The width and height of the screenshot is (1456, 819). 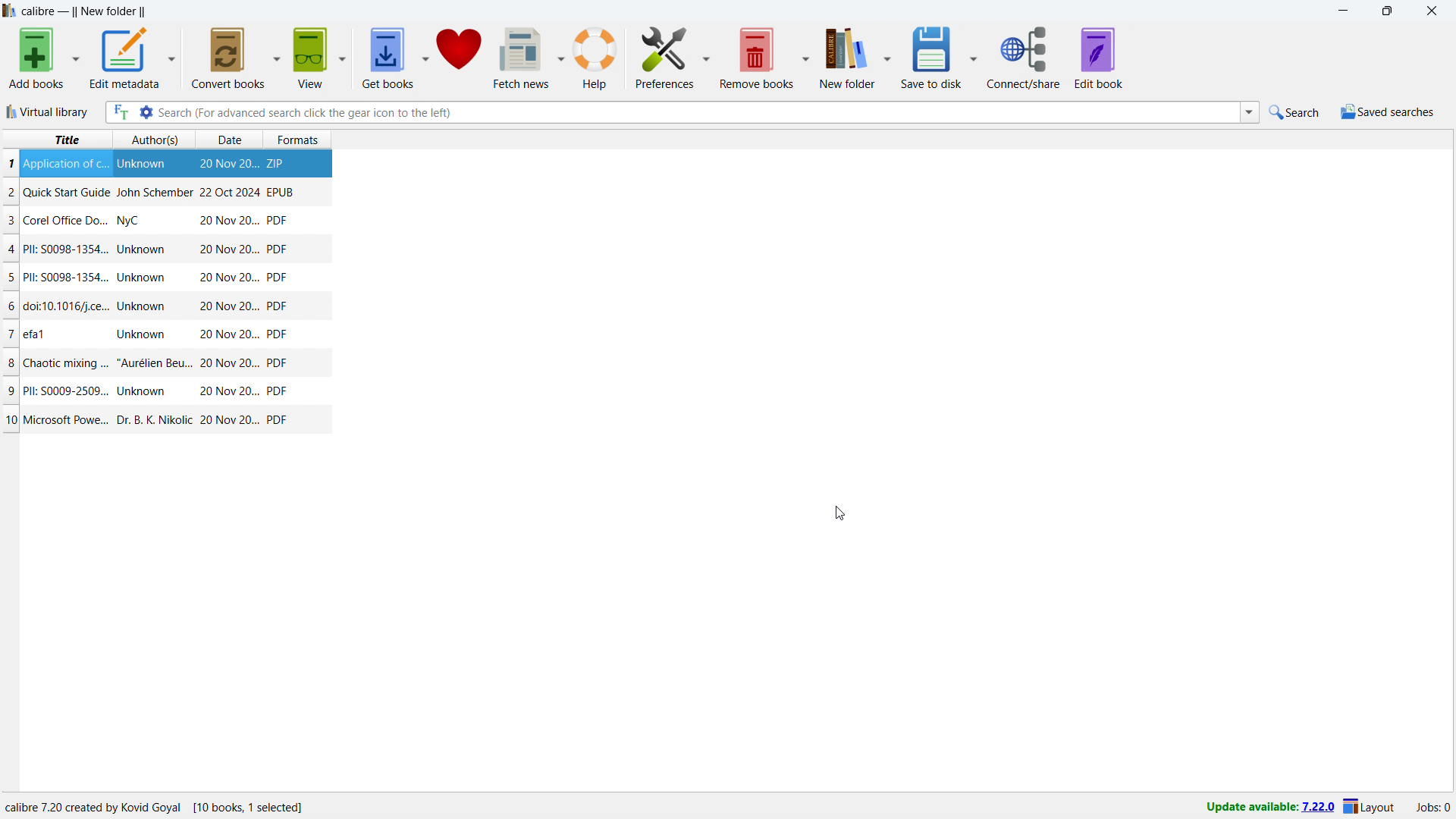 What do you see at coordinates (757, 58) in the screenshot?
I see `remove books` at bounding box center [757, 58].